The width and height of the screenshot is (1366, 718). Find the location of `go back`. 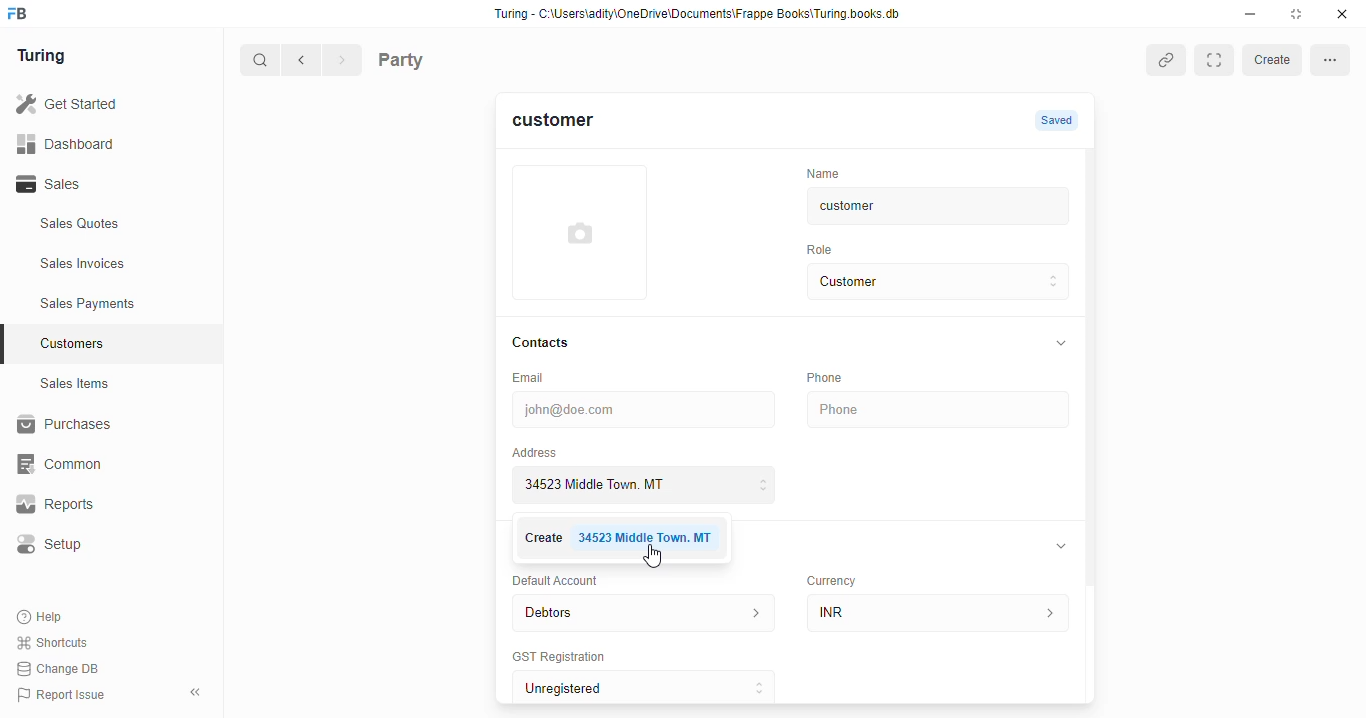

go back is located at coordinates (305, 61).